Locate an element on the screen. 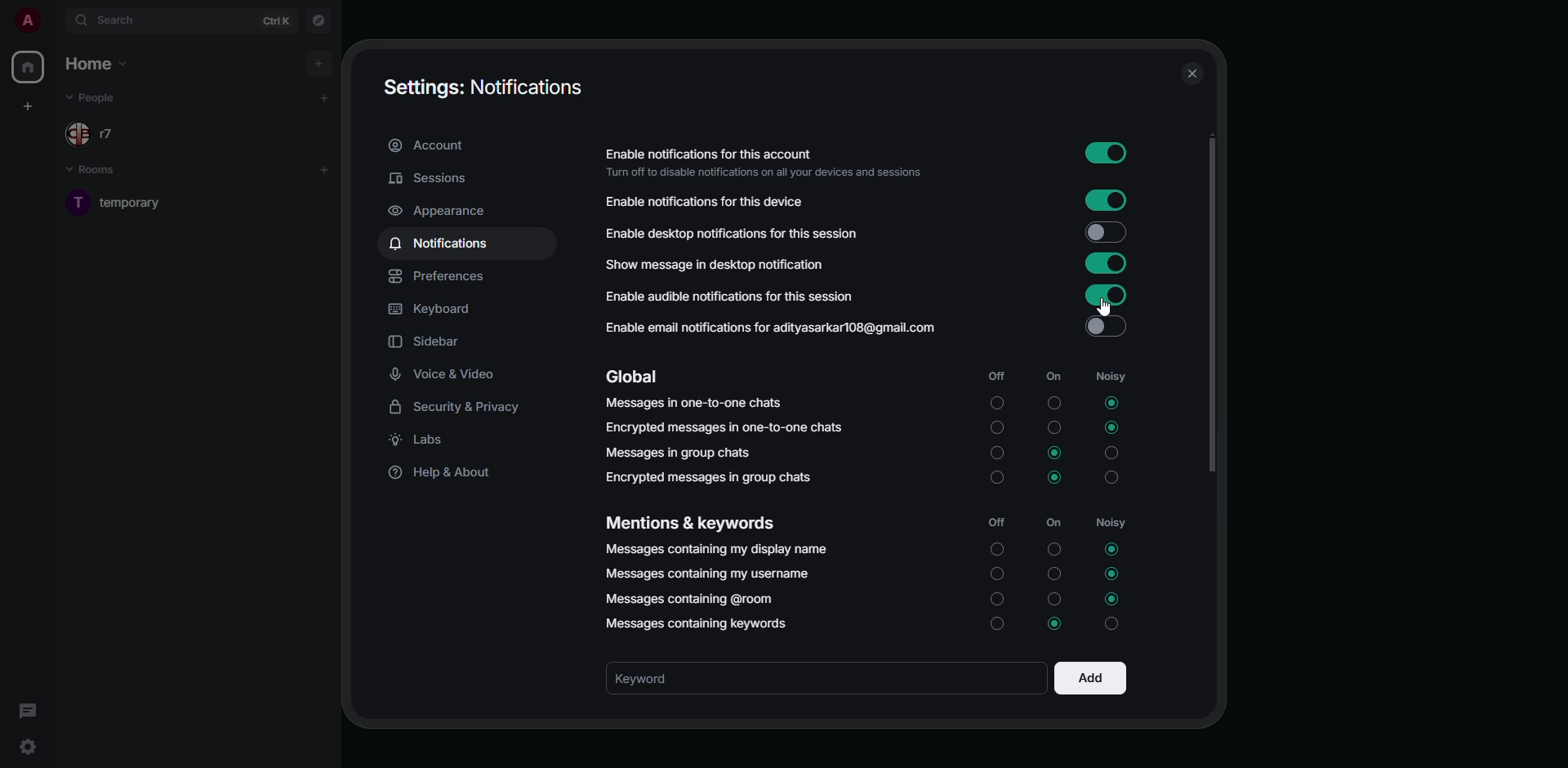 This screenshot has width=1568, height=768. profile is located at coordinates (27, 20).